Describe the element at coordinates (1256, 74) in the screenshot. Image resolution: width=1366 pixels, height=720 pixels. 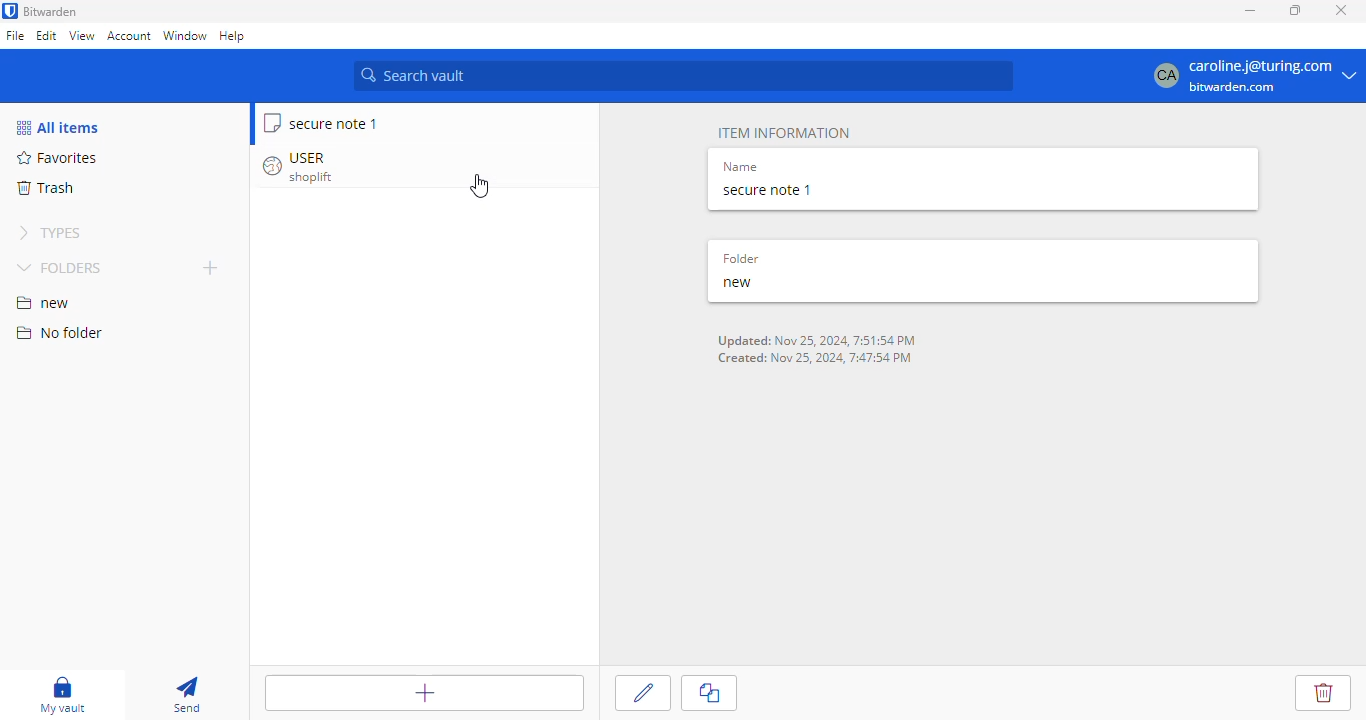
I see `caroline.j@turing.com    bitwarden.com` at that location.